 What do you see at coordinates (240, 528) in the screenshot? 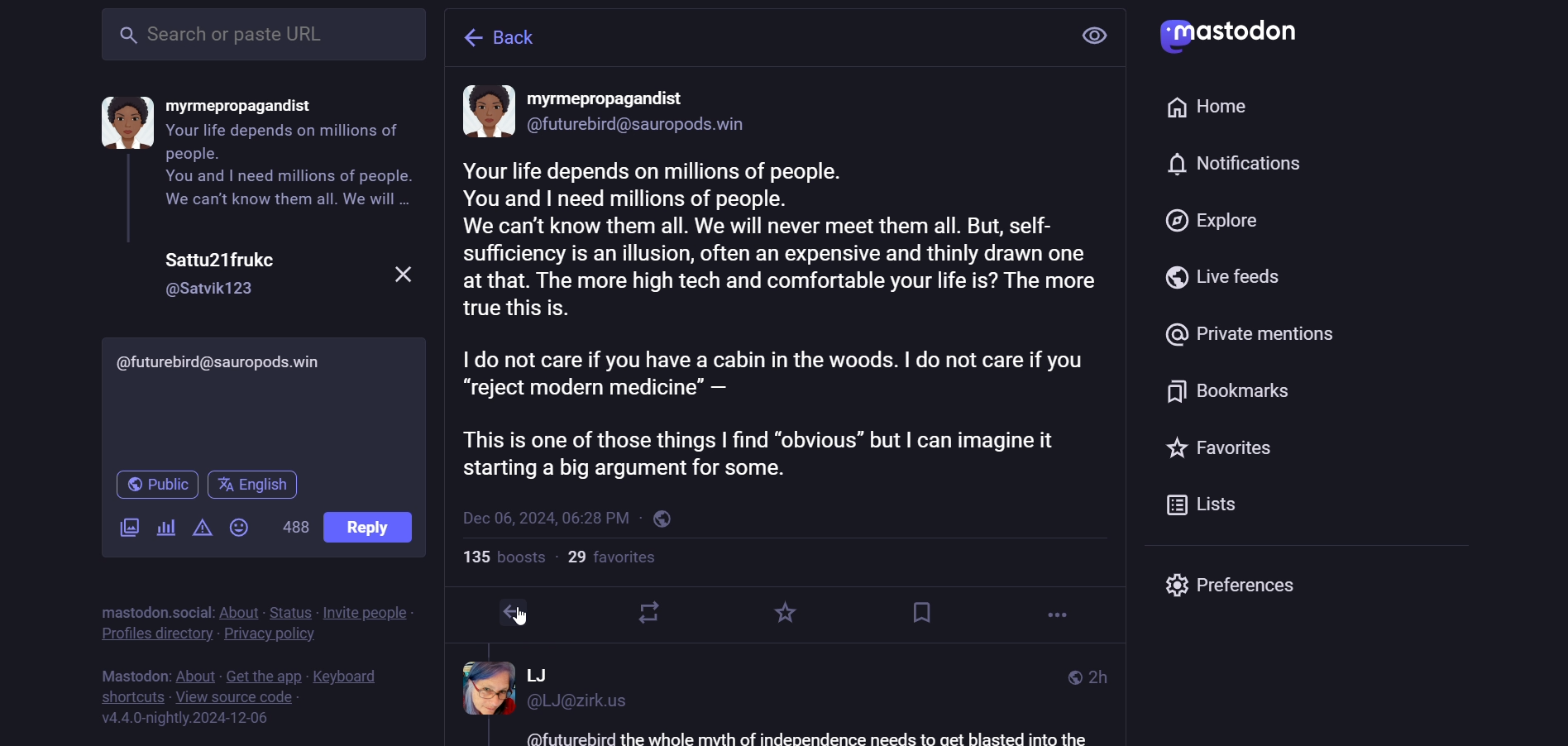
I see `emoji` at bounding box center [240, 528].